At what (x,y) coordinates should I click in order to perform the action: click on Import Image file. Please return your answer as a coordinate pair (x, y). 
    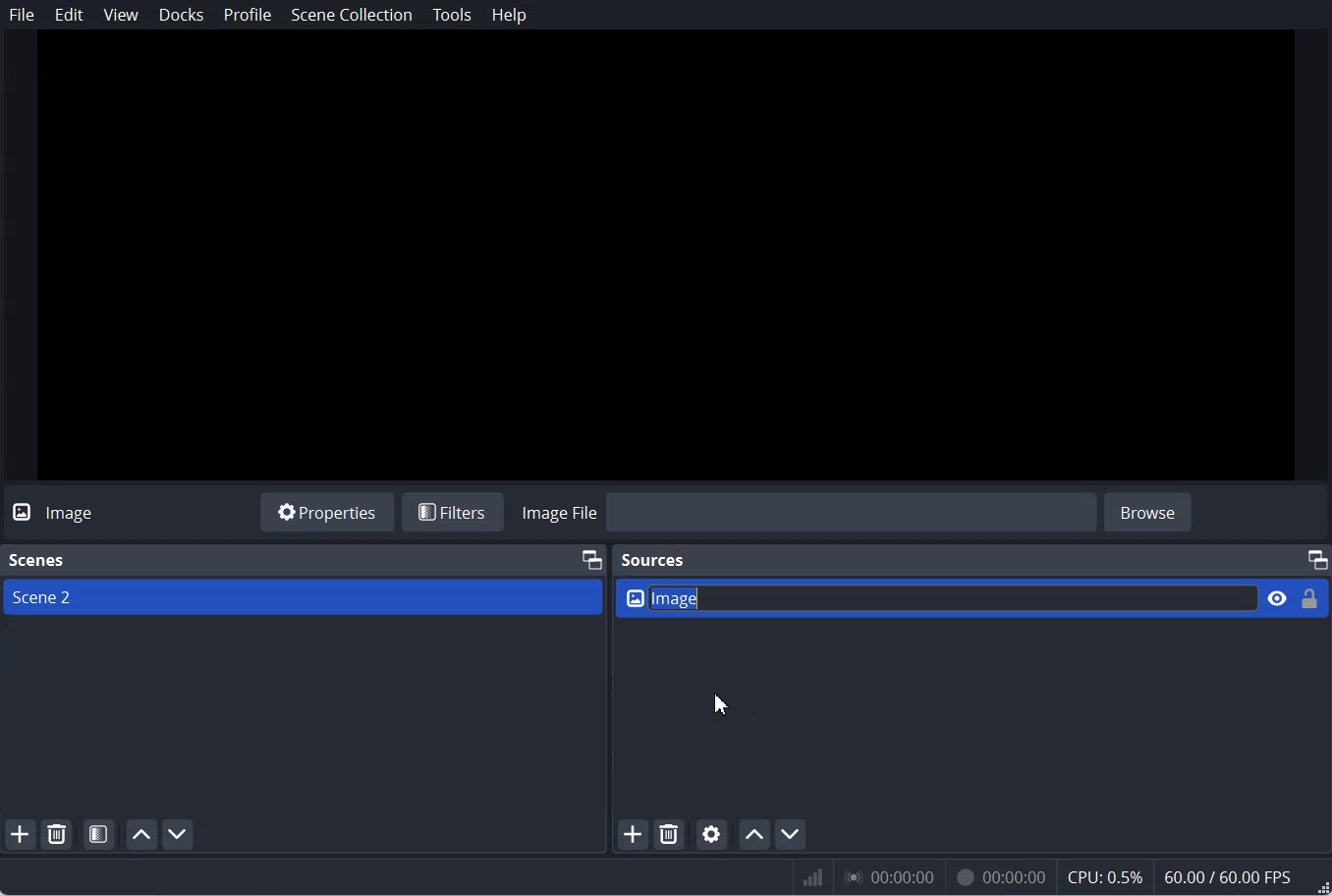
    Looking at the image, I should click on (803, 514).